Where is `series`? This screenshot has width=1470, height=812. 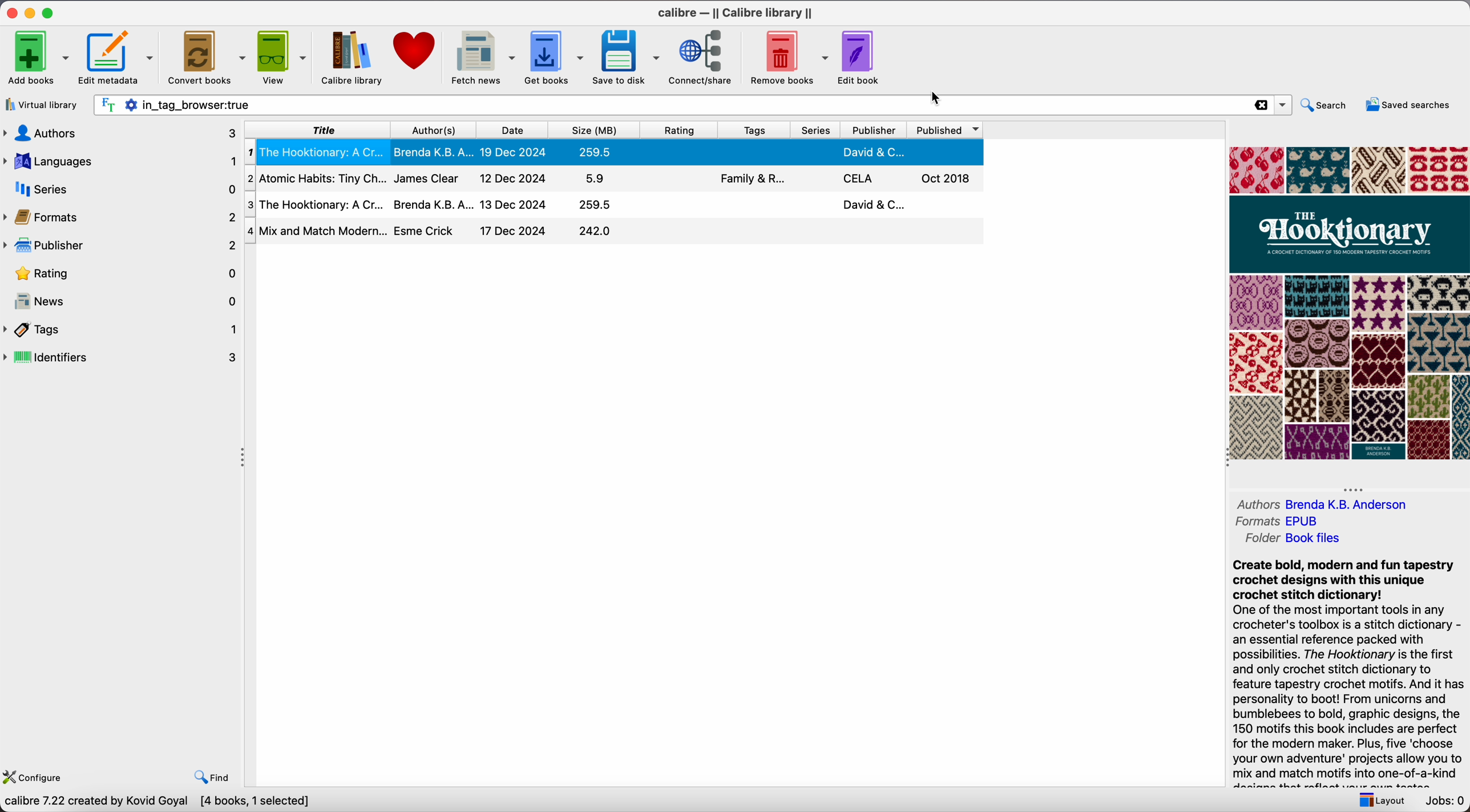 series is located at coordinates (122, 191).